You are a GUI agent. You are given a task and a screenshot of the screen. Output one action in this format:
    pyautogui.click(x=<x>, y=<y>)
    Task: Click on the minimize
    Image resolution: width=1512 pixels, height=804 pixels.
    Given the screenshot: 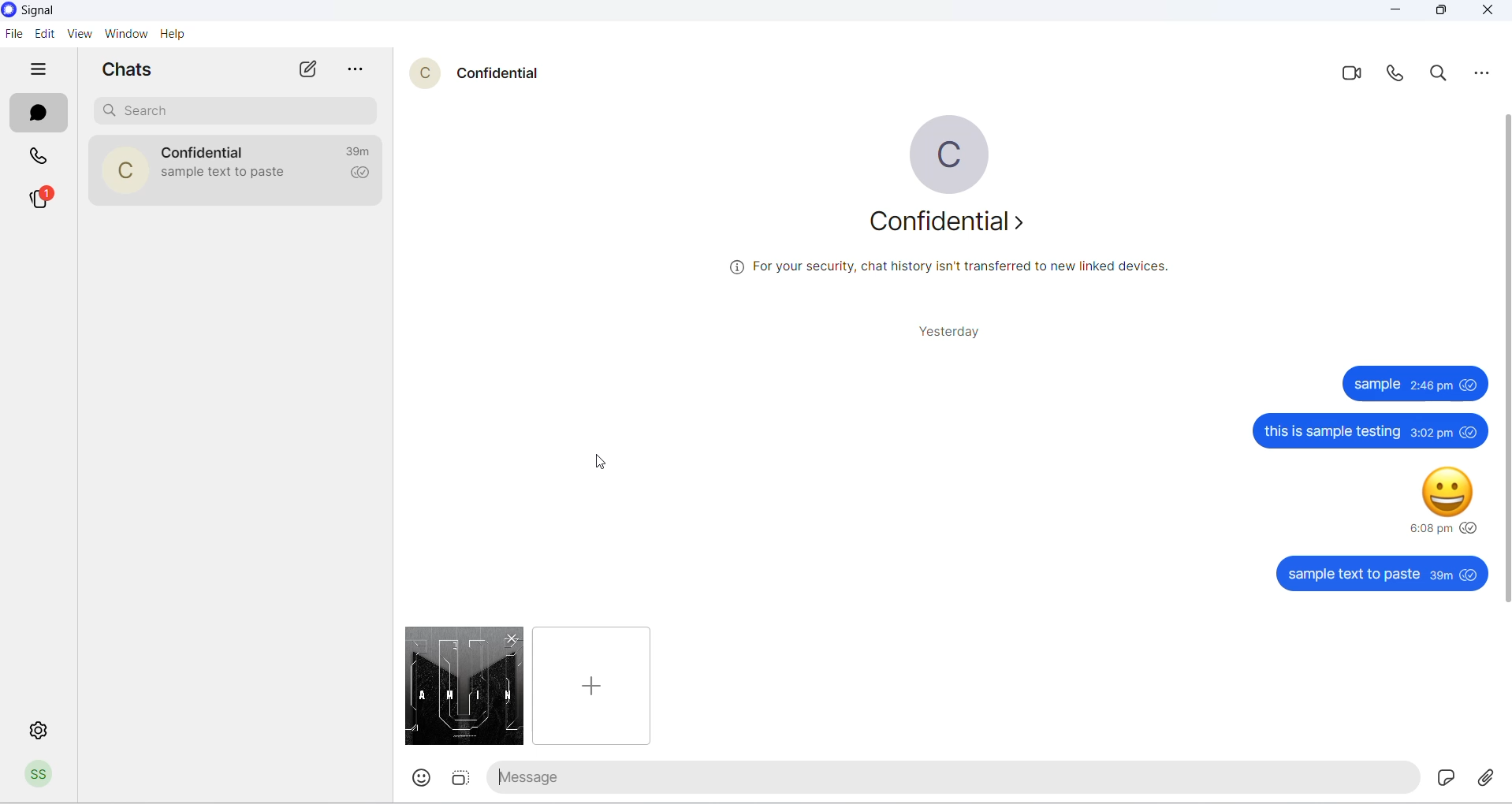 What is the action you would take?
    pyautogui.click(x=1397, y=12)
    